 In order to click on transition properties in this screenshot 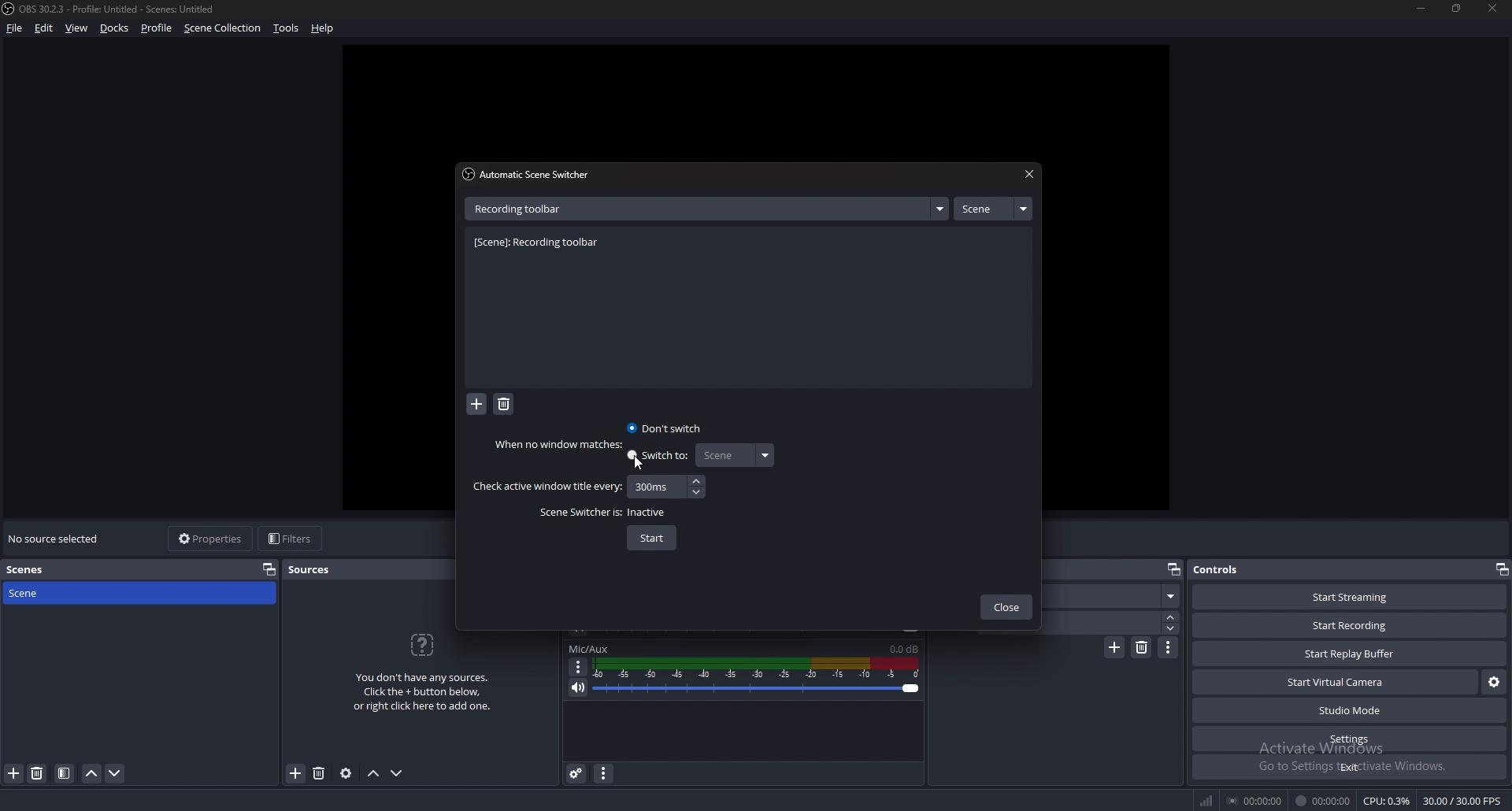, I will do `click(1169, 647)`.